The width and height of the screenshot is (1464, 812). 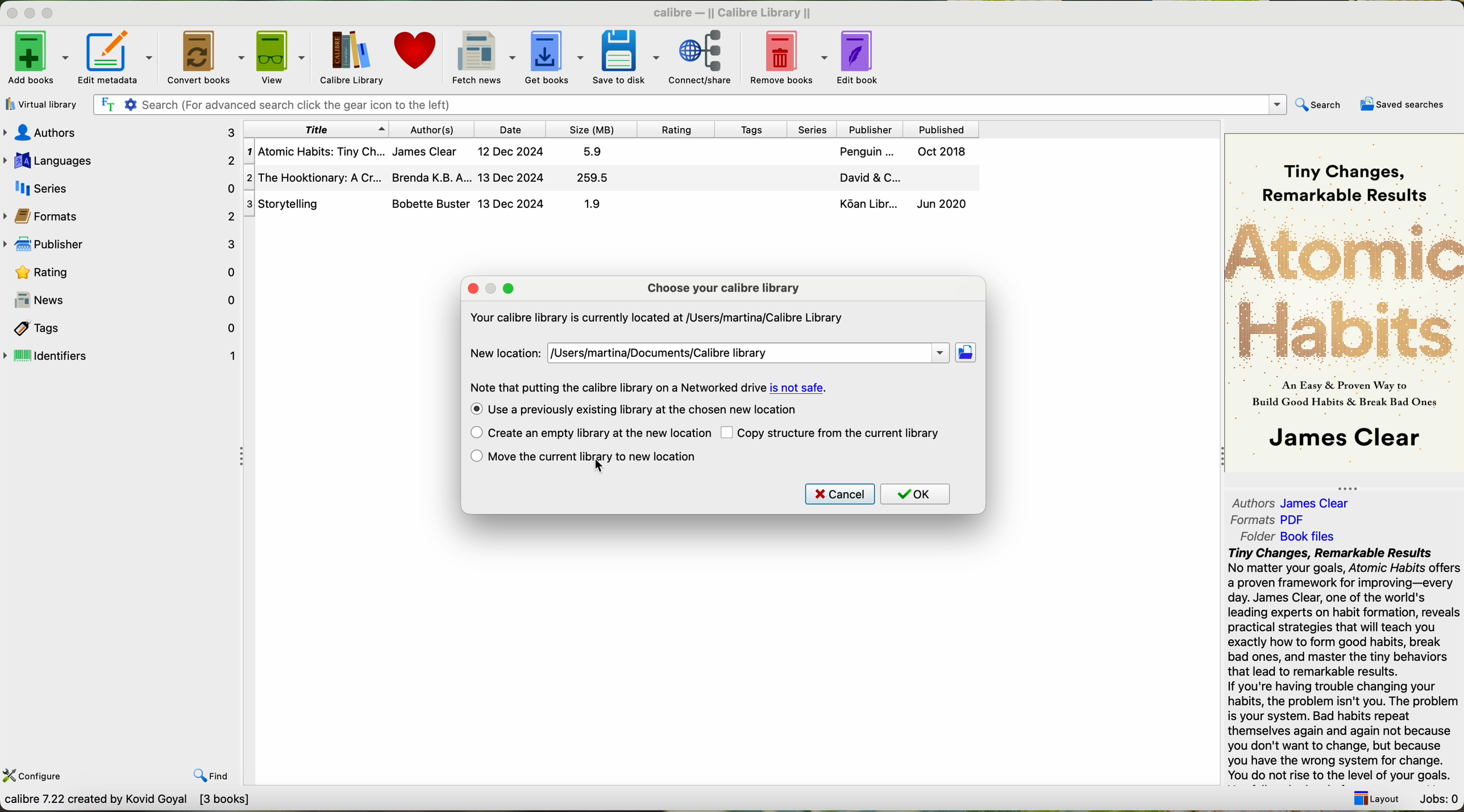 What do you see at coordinates (1438, 798) in the screenshot?
I see `Jobs: 0` at bounding box center [1438, 798].